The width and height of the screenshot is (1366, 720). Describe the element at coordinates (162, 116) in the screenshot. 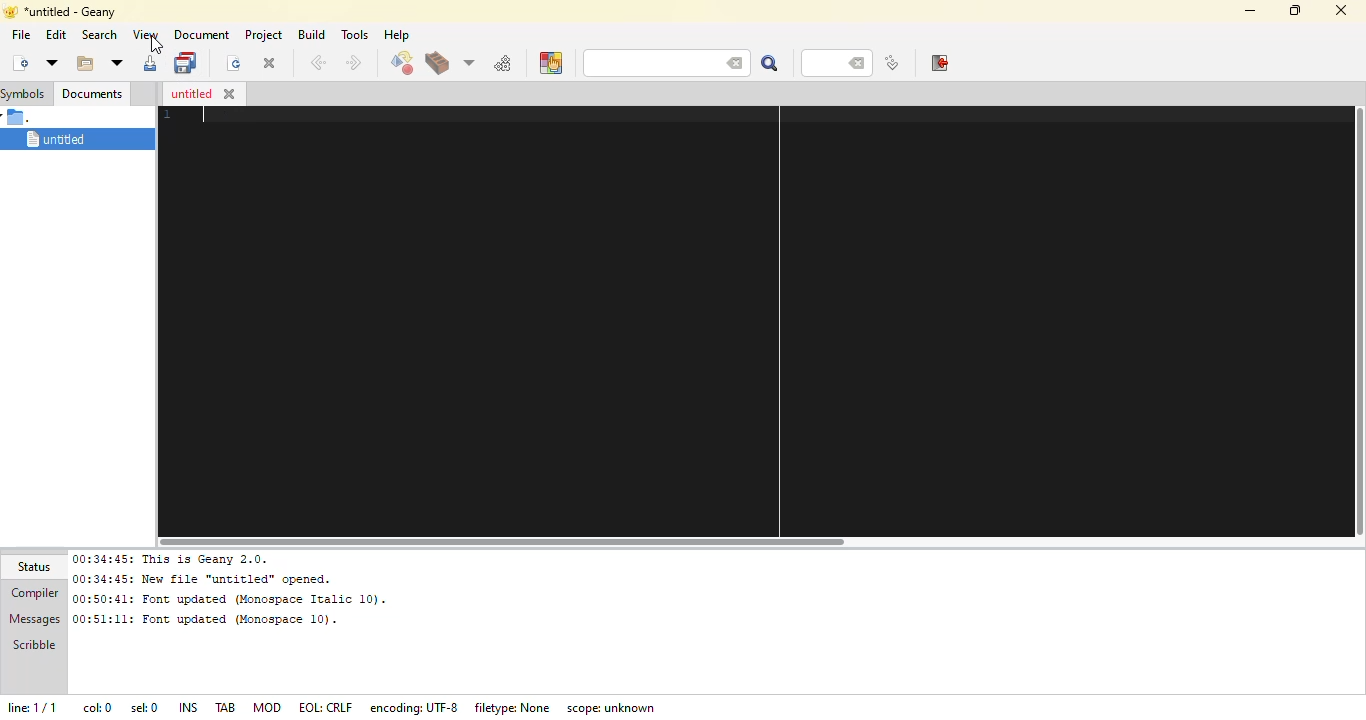

I see `line number` at that location.